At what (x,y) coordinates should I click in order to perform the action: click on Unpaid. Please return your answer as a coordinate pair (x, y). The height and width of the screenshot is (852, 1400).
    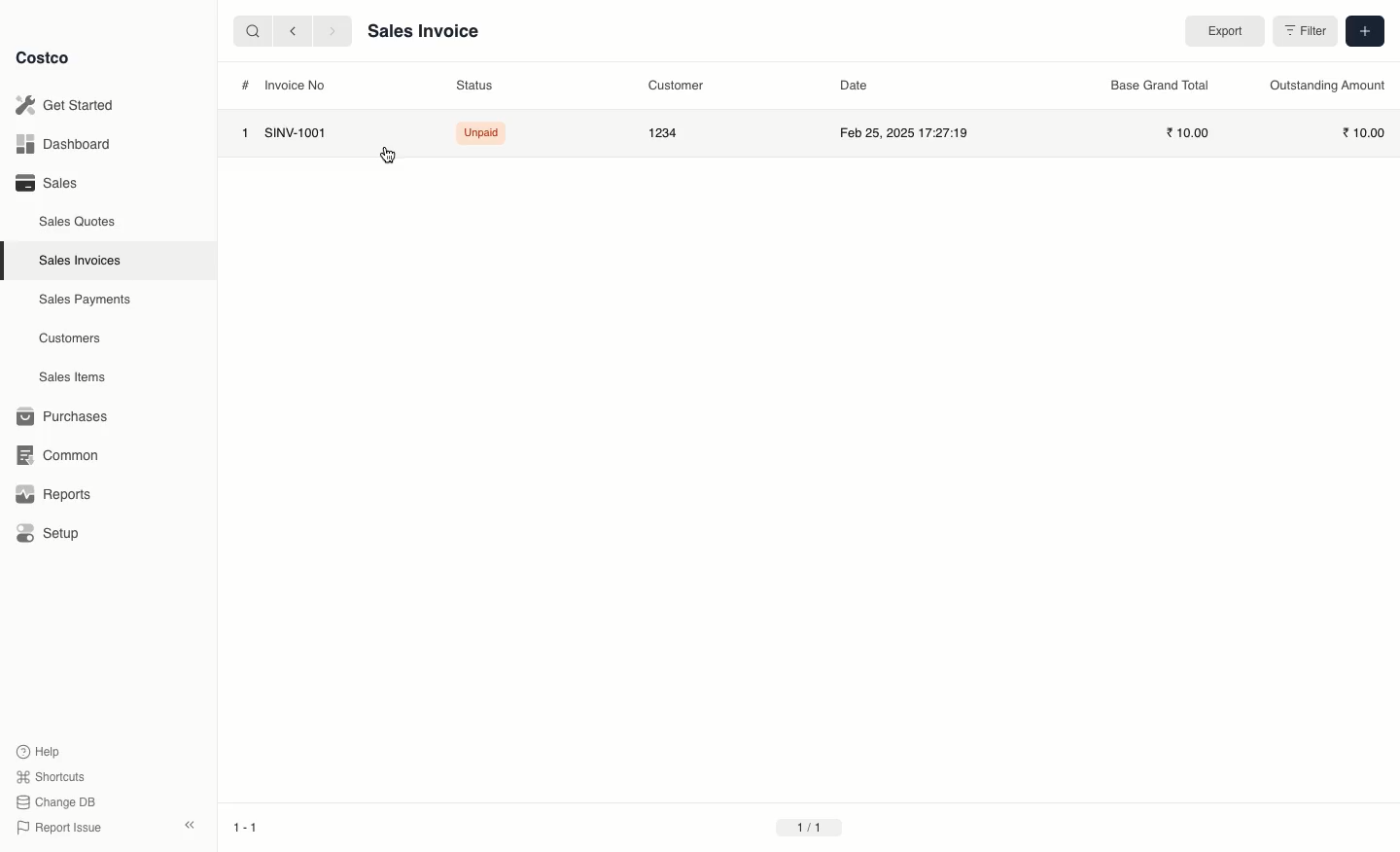
    Looking at the image, I should click on (479, 132).